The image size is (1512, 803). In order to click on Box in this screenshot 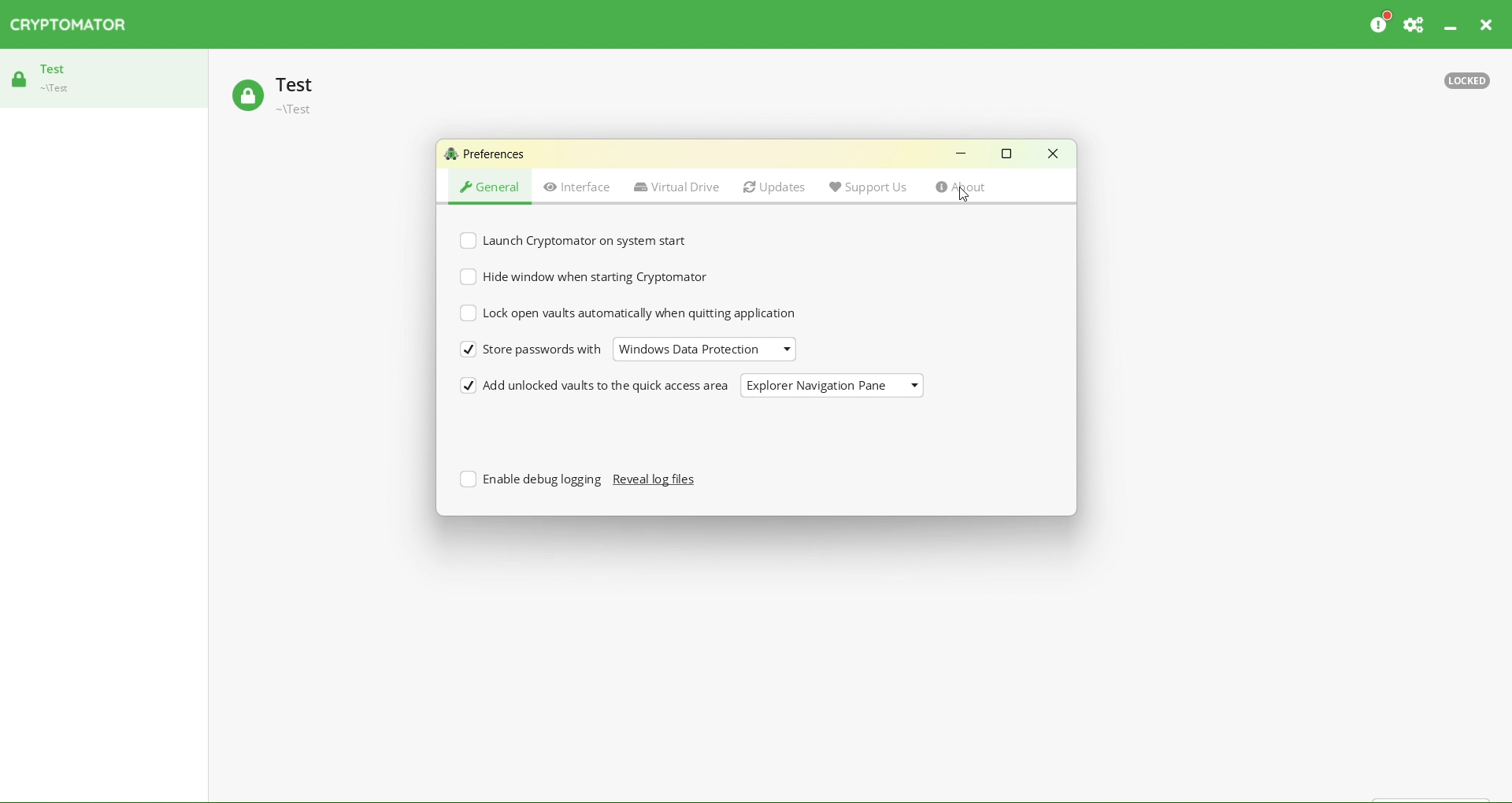, I will do `click(1009, 157)`.